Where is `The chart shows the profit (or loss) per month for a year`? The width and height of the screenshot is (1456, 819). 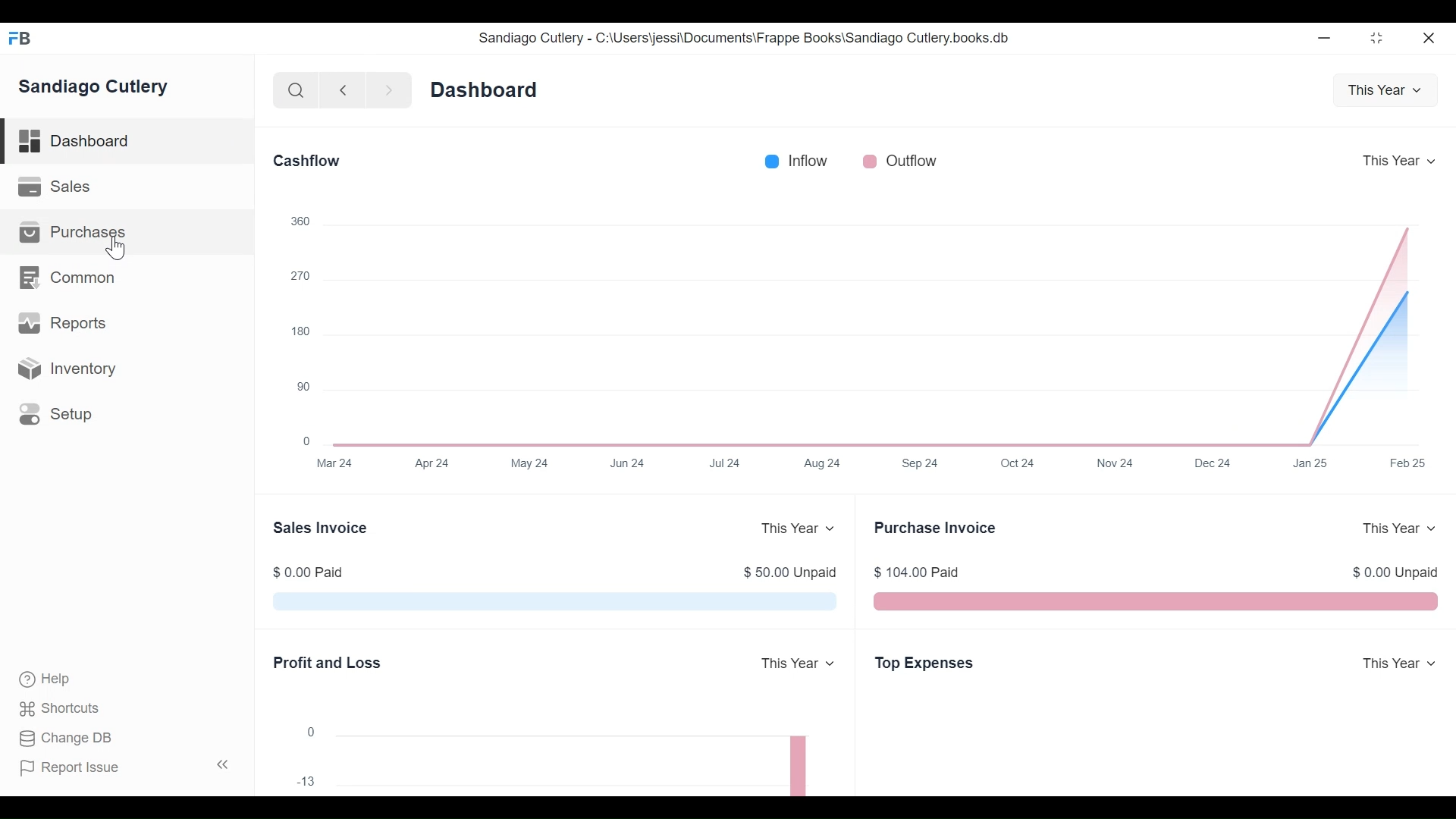
The chart shows the profit (or loss) per month for a year is located at coordinates (584, 757).